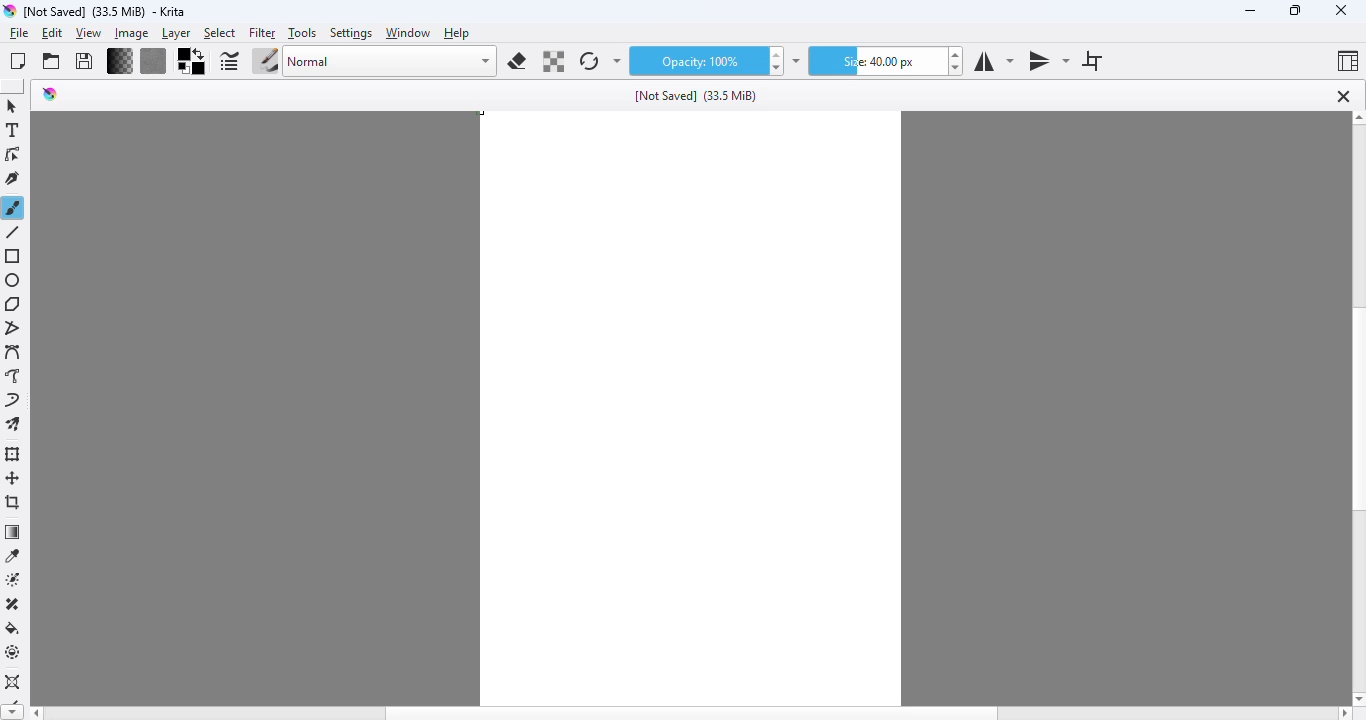 This screenshot has height=720, width=1366. What do you see at coordinates (14, 376) in the screenshot?
I see `freehand path tool` at bounding box center [14, 376].